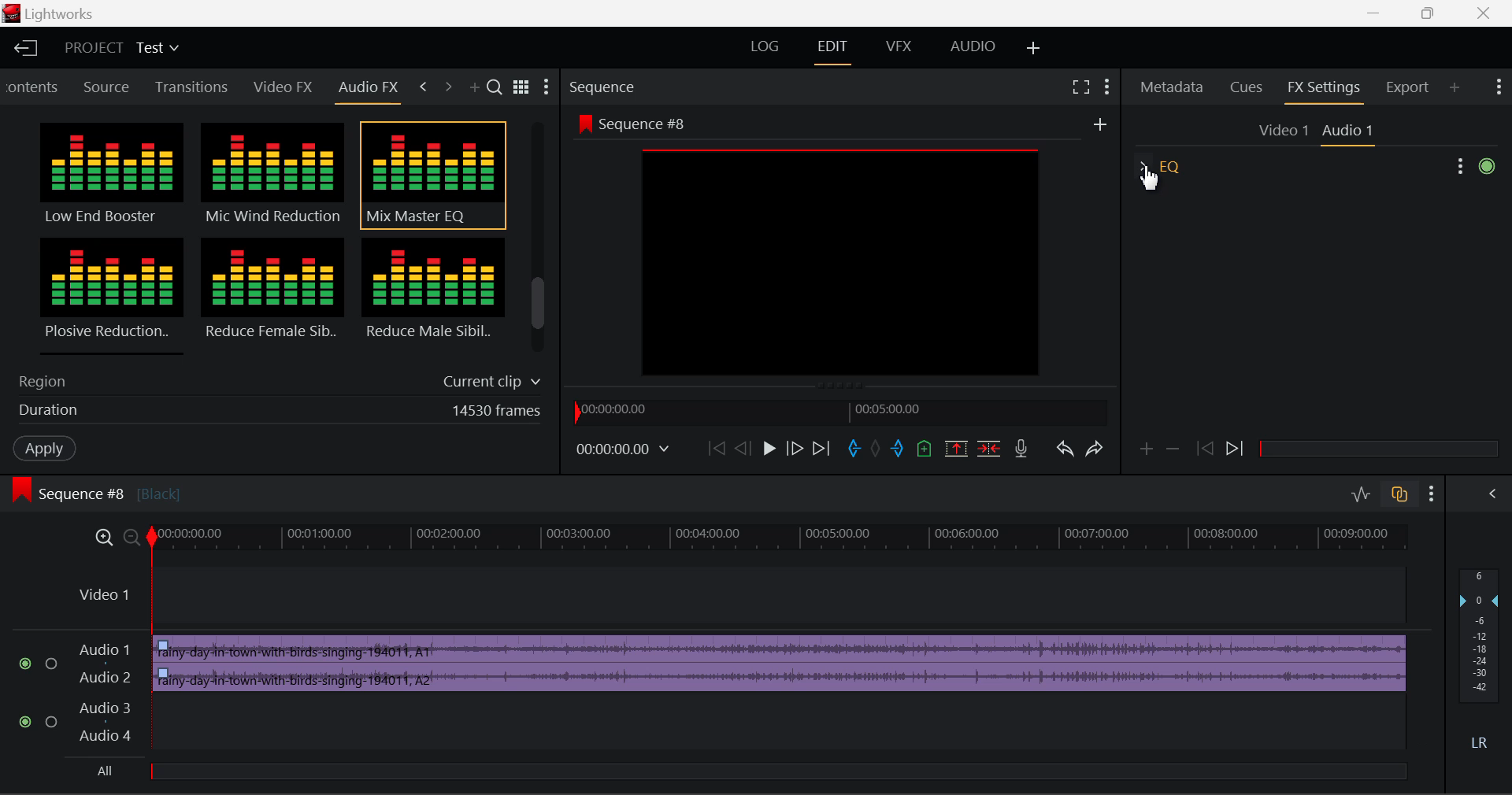  What do you see at coordinates (547, 89) in the screenshot?
I see `Settings` at bounding box center [547, 89].